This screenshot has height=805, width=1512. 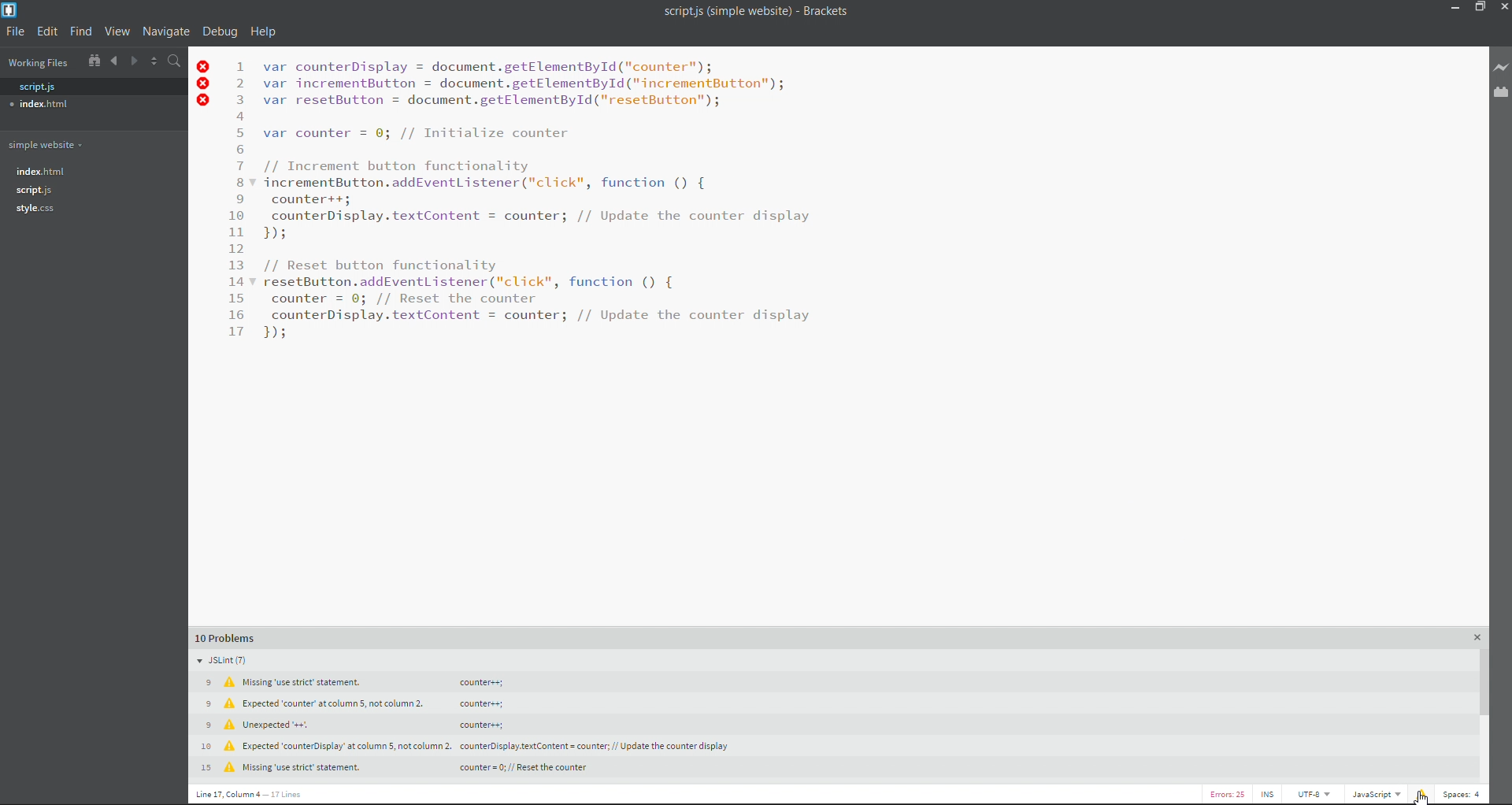 I want to click on error number, so click(x=1232, y=793).